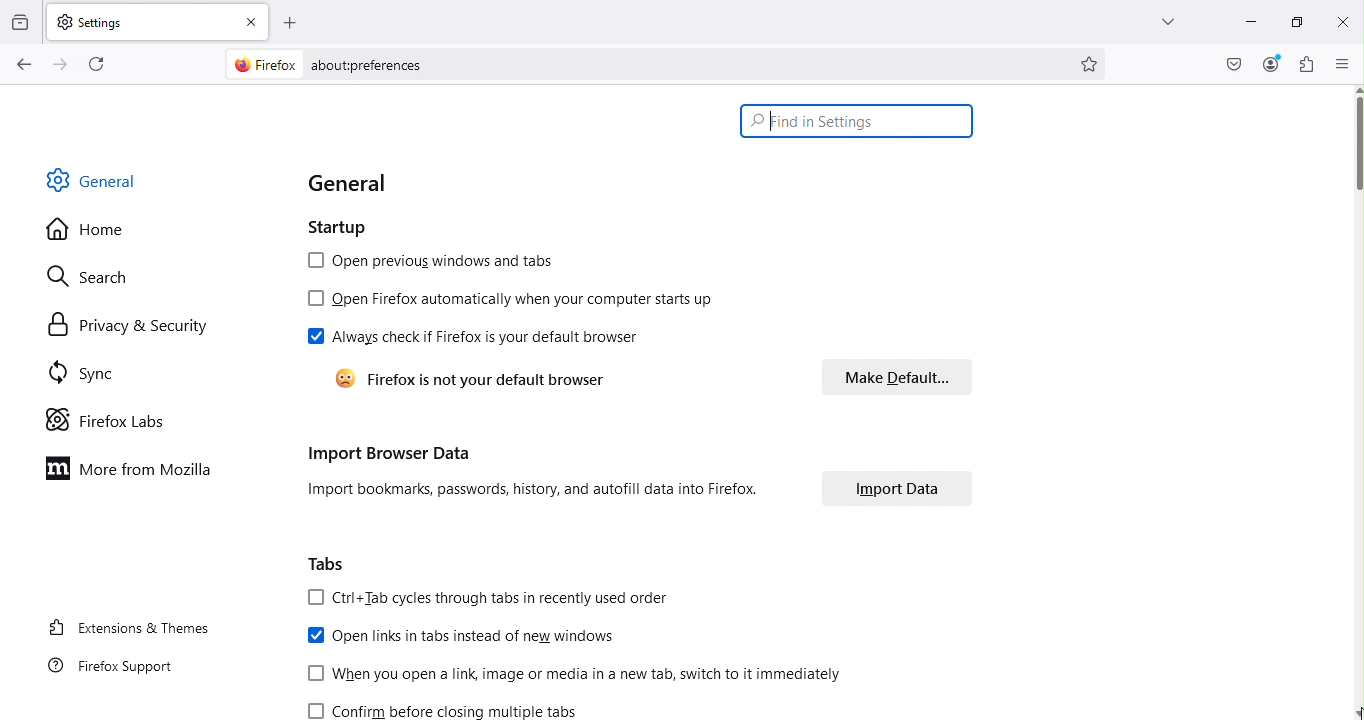 The image size is (1364, 720). What do you see at coordinates (1235, 64) in the screenshot?
I see `Save to pocket` at bounding box center [1235, 64].